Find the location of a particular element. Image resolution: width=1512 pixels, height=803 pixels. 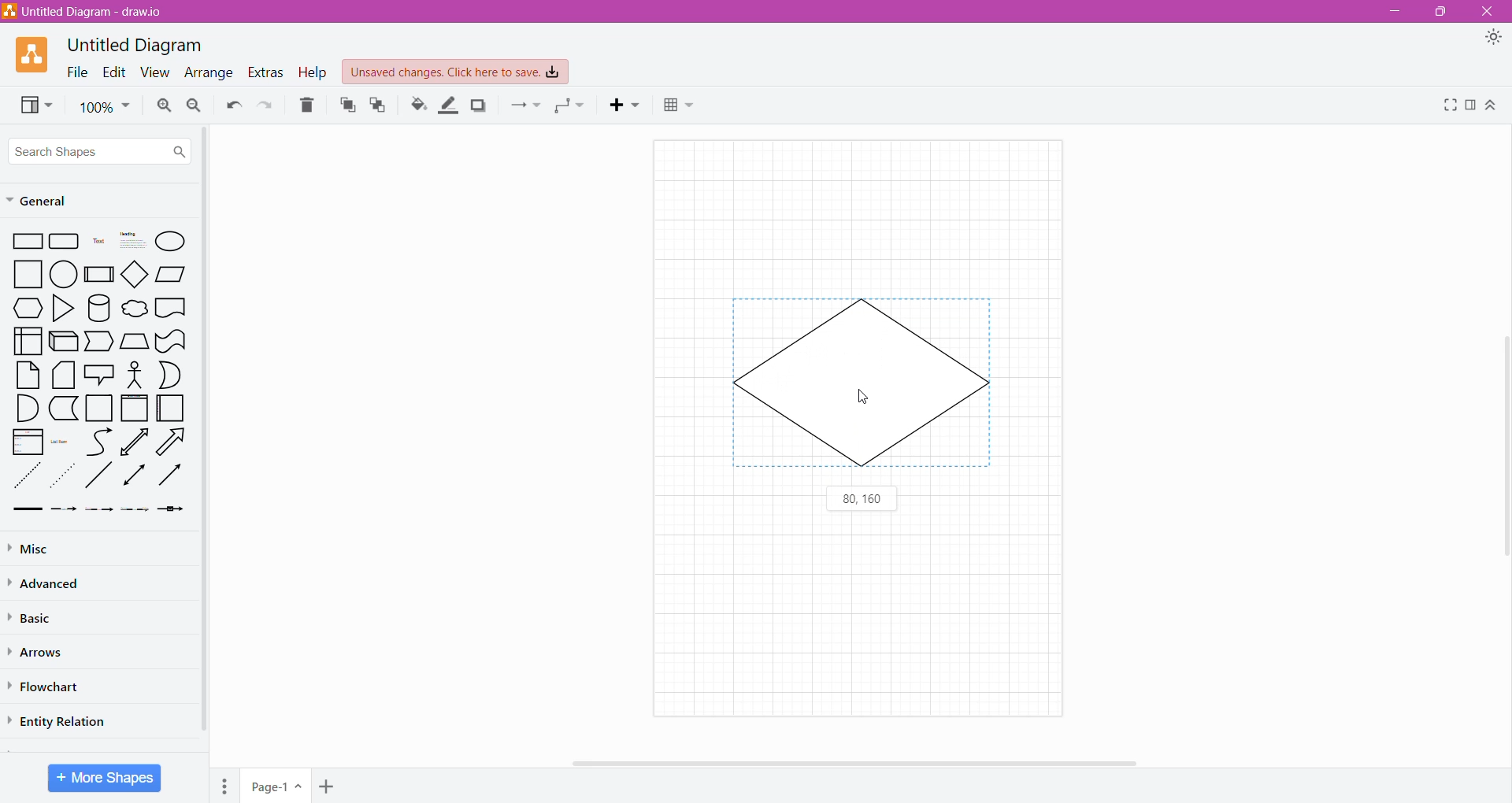

Dotted Line is located at coordinates (65, 479).